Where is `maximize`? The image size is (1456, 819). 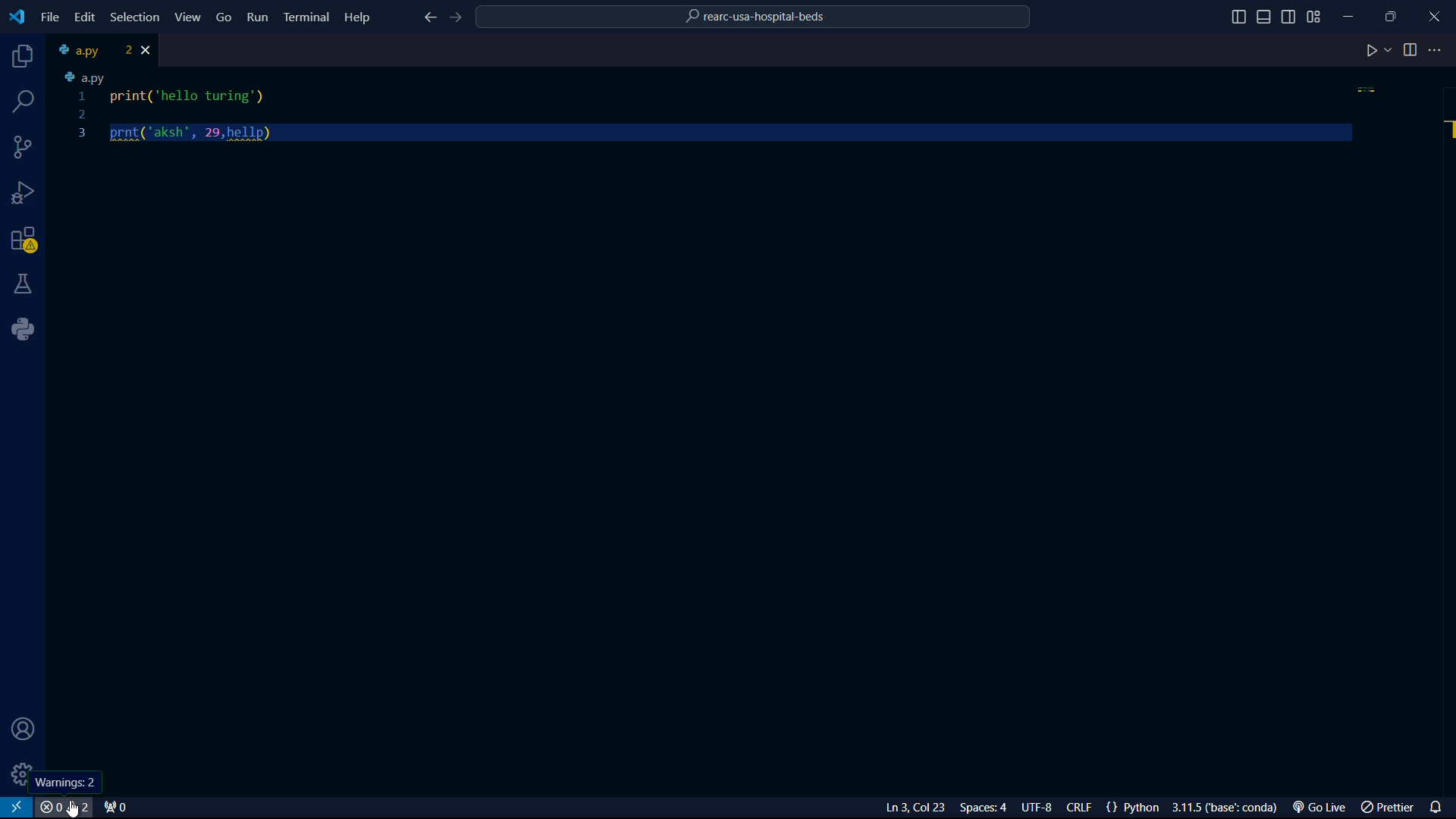 maximize is located at coordinates (1393, 16).